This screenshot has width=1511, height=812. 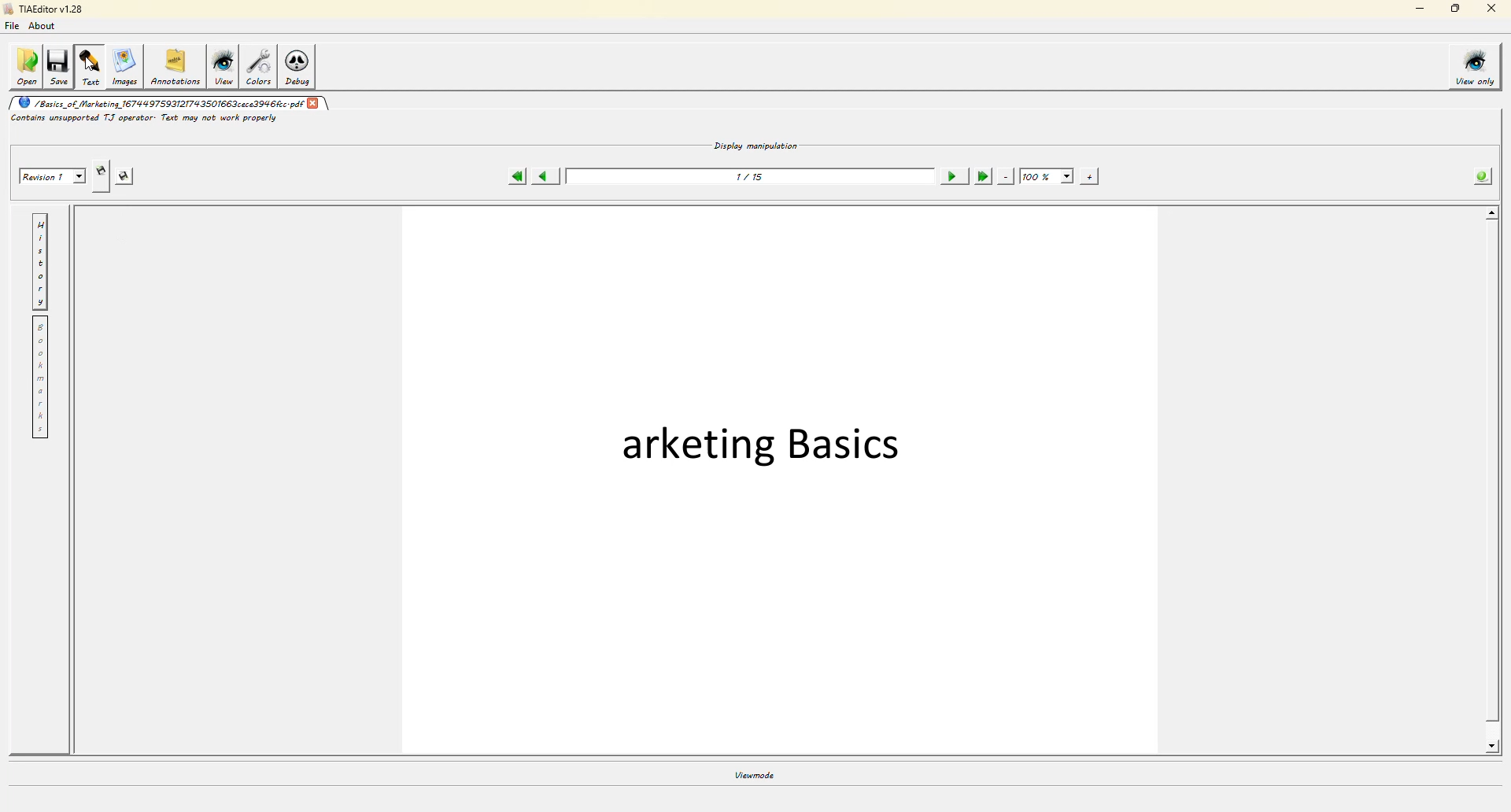 What do you see at coordinates (175, 65) in the screenshot?
I see `annotations` at bounding box center [175, 65].